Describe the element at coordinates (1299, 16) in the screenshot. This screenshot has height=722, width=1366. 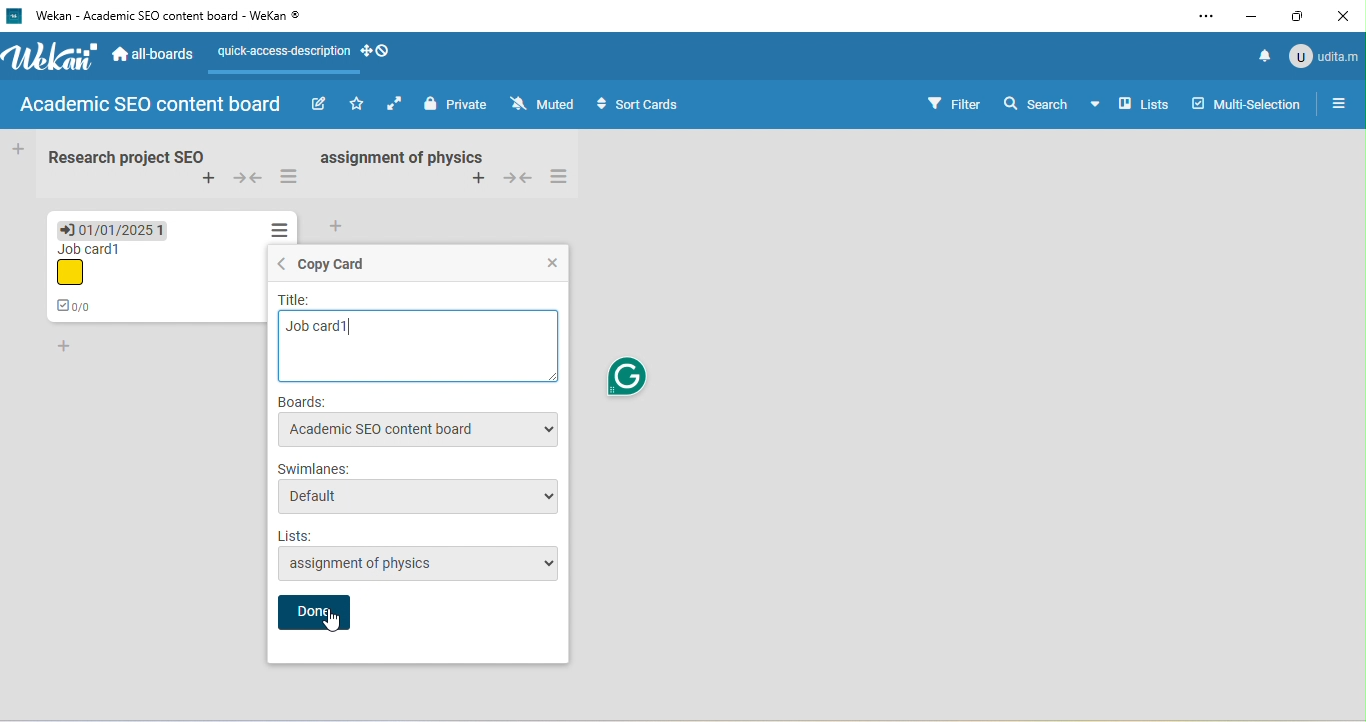
I see `maximize` at that location.